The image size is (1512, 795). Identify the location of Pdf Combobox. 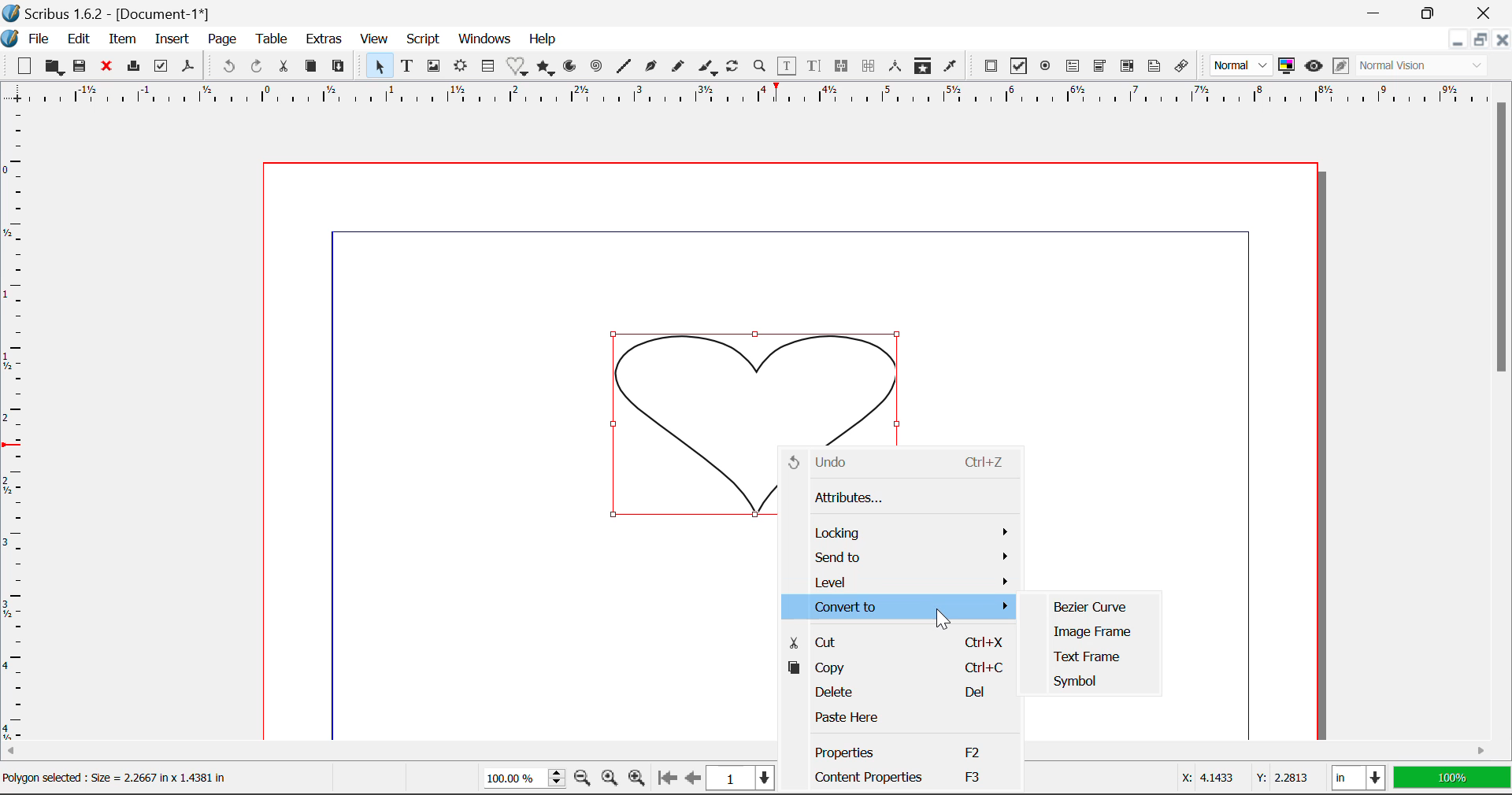
(1101, 68).